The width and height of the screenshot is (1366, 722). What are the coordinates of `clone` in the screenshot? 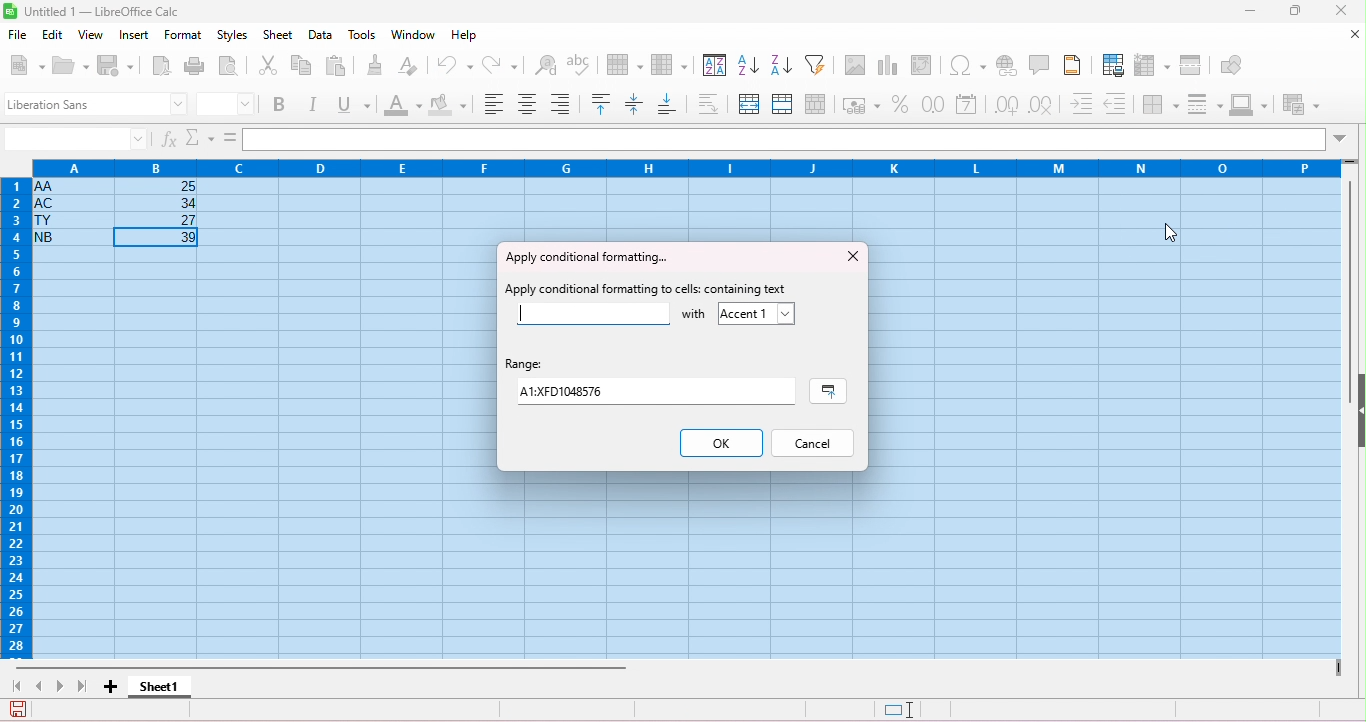 It's located at (377, 64).